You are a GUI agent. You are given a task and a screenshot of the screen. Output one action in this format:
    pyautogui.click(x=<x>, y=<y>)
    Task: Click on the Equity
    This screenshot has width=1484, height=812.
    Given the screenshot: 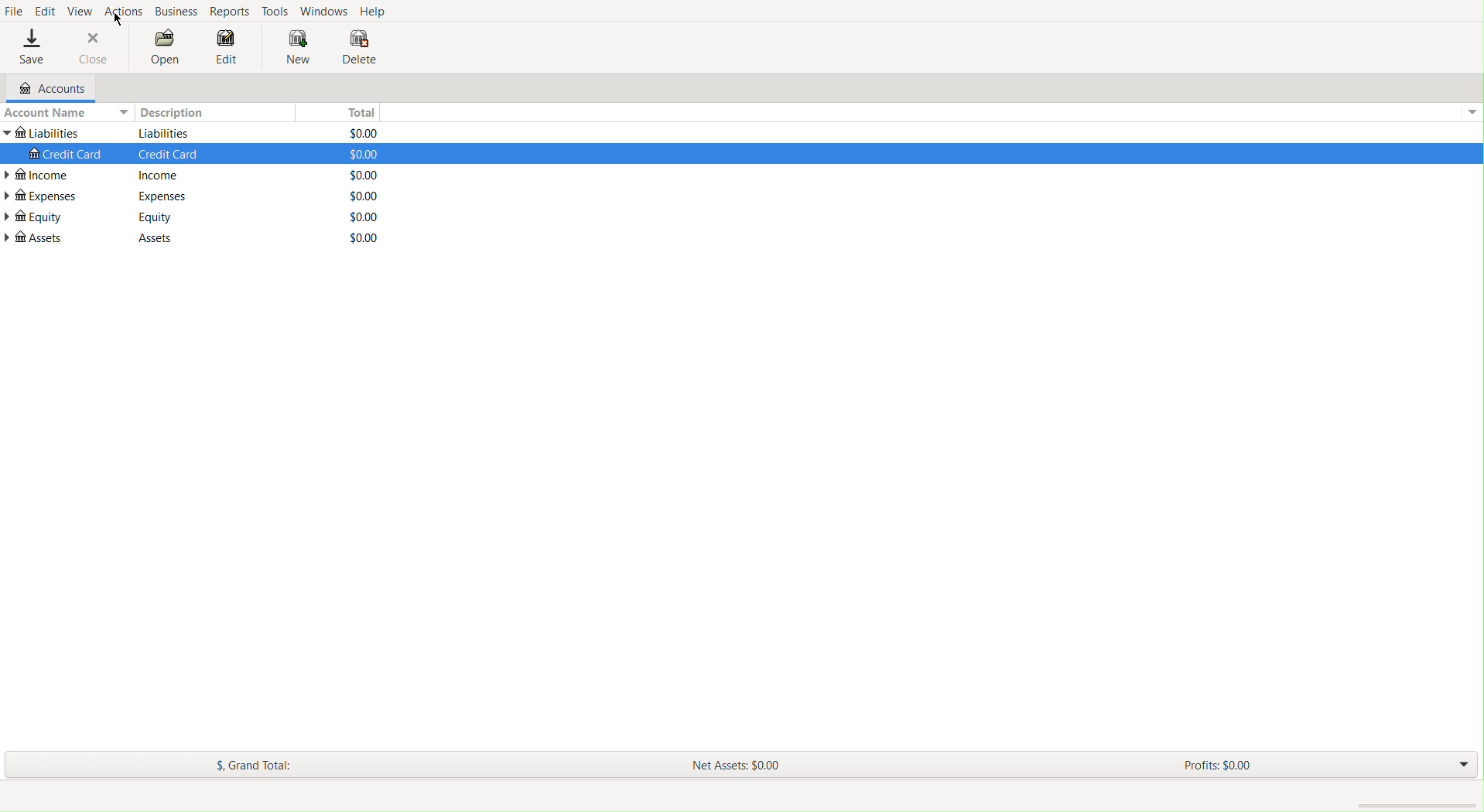 What is the action you would take?
    pyautogui.click(x=36, y=218)
    